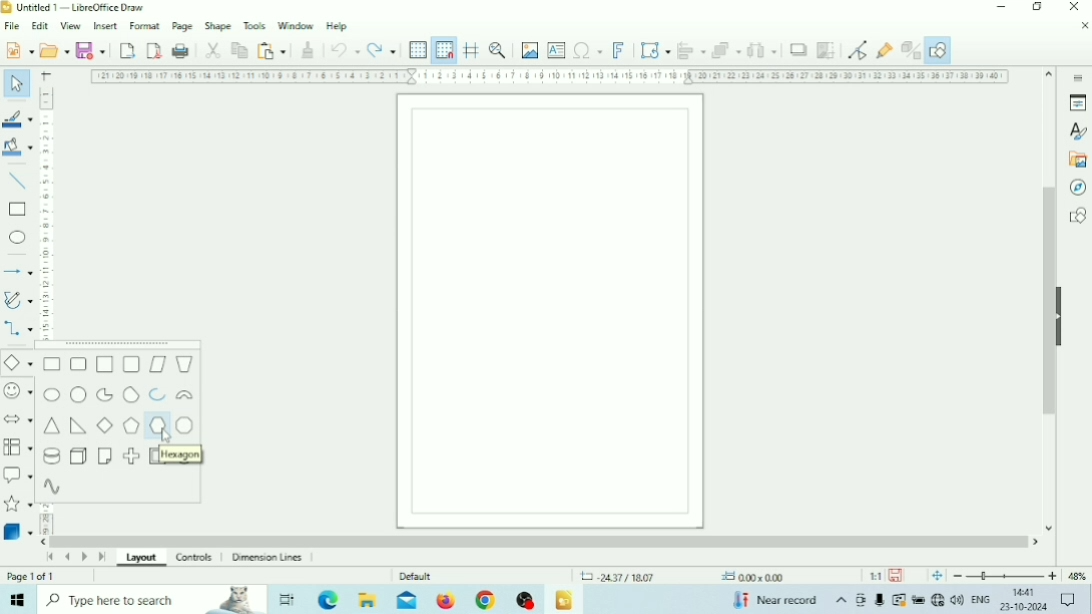 The width and height of the screenshot is (1092, 614). What do you see at coordinates (407, 600) in the screenshot?
I see `Mail` at bounding box center [407, 600].